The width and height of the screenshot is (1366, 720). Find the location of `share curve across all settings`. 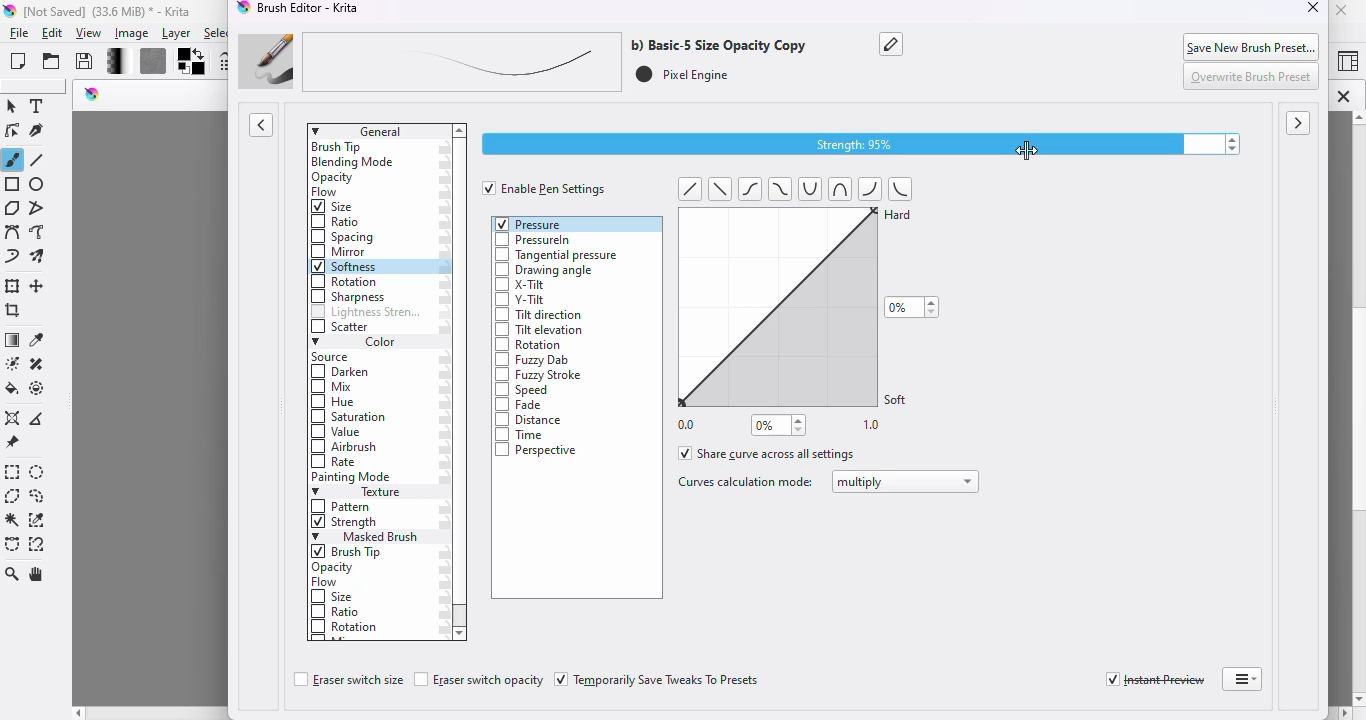

share curve across all settings is located at coordinates (768, 453).